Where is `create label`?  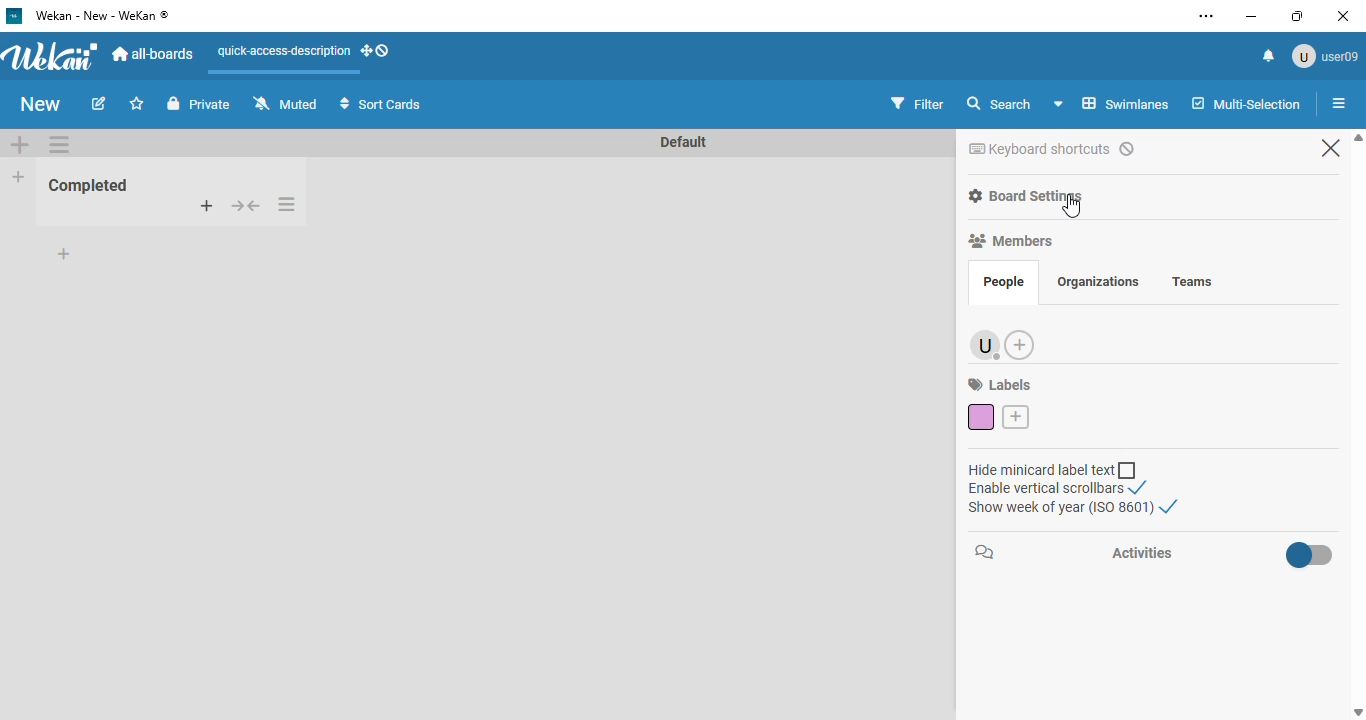
create label is located at coordinates (1018, 417).